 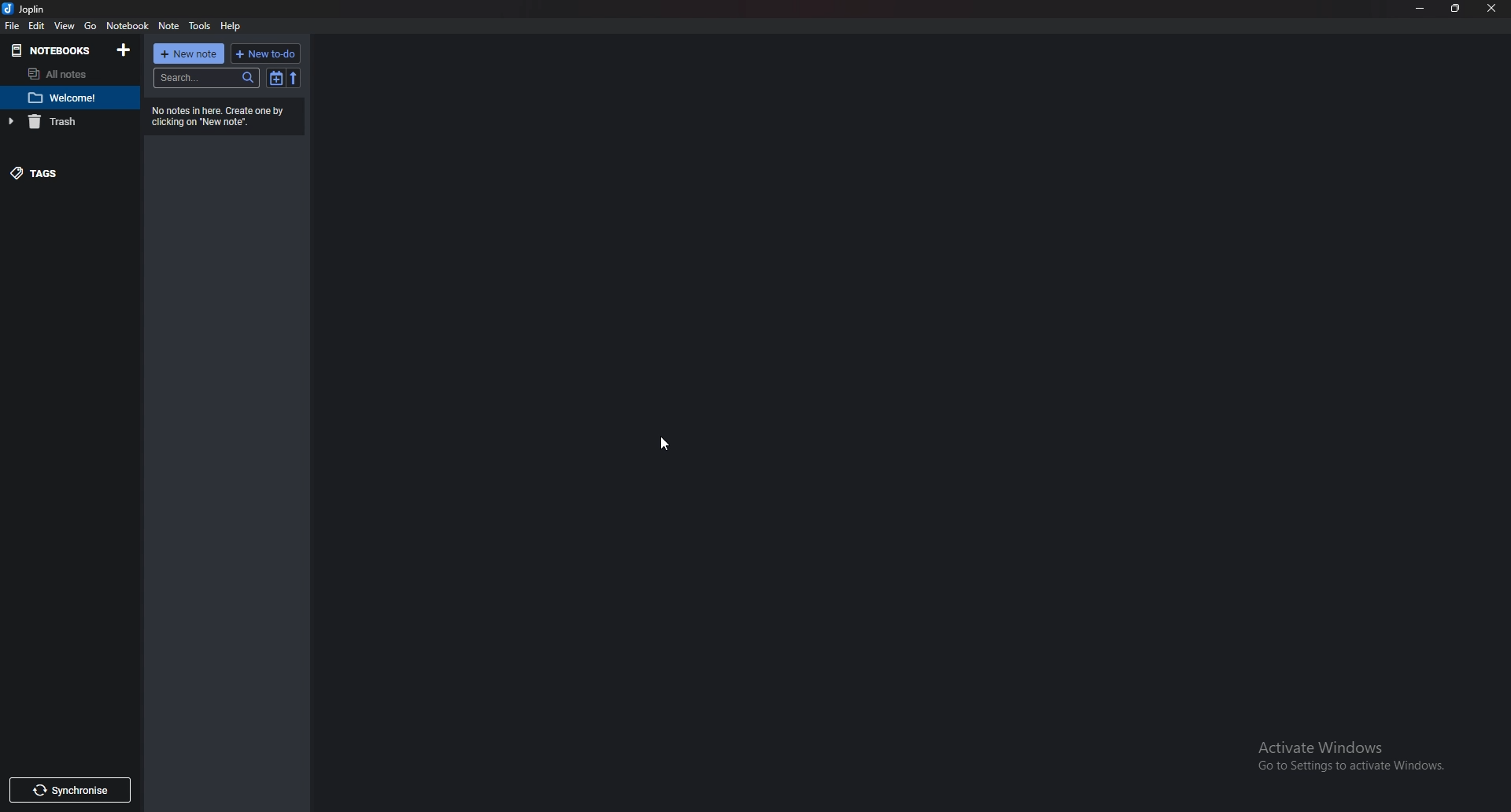 I want to click on go, so click(x=90, y=26).